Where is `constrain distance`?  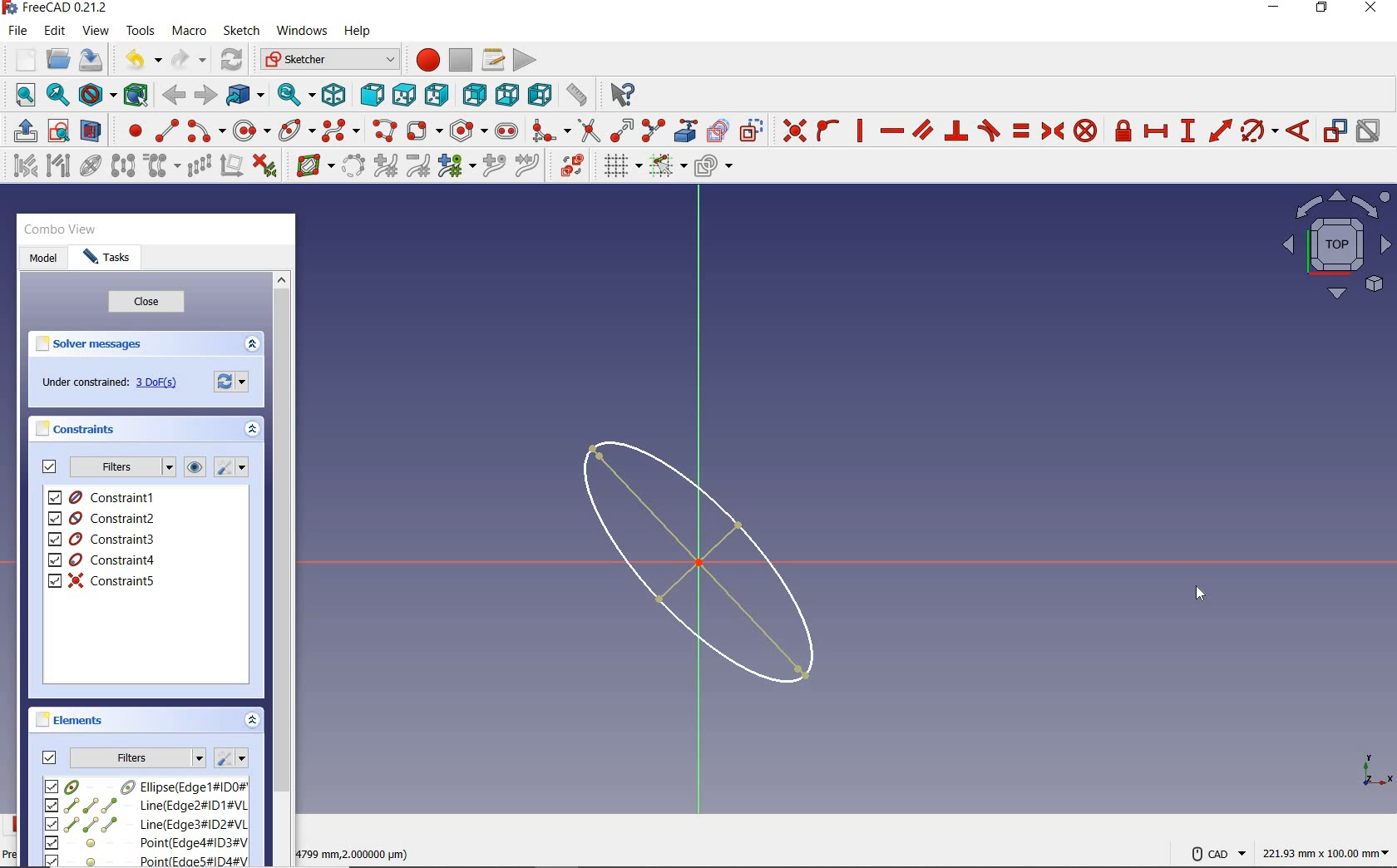 constrain distance is located at coordinates (1221, 129).